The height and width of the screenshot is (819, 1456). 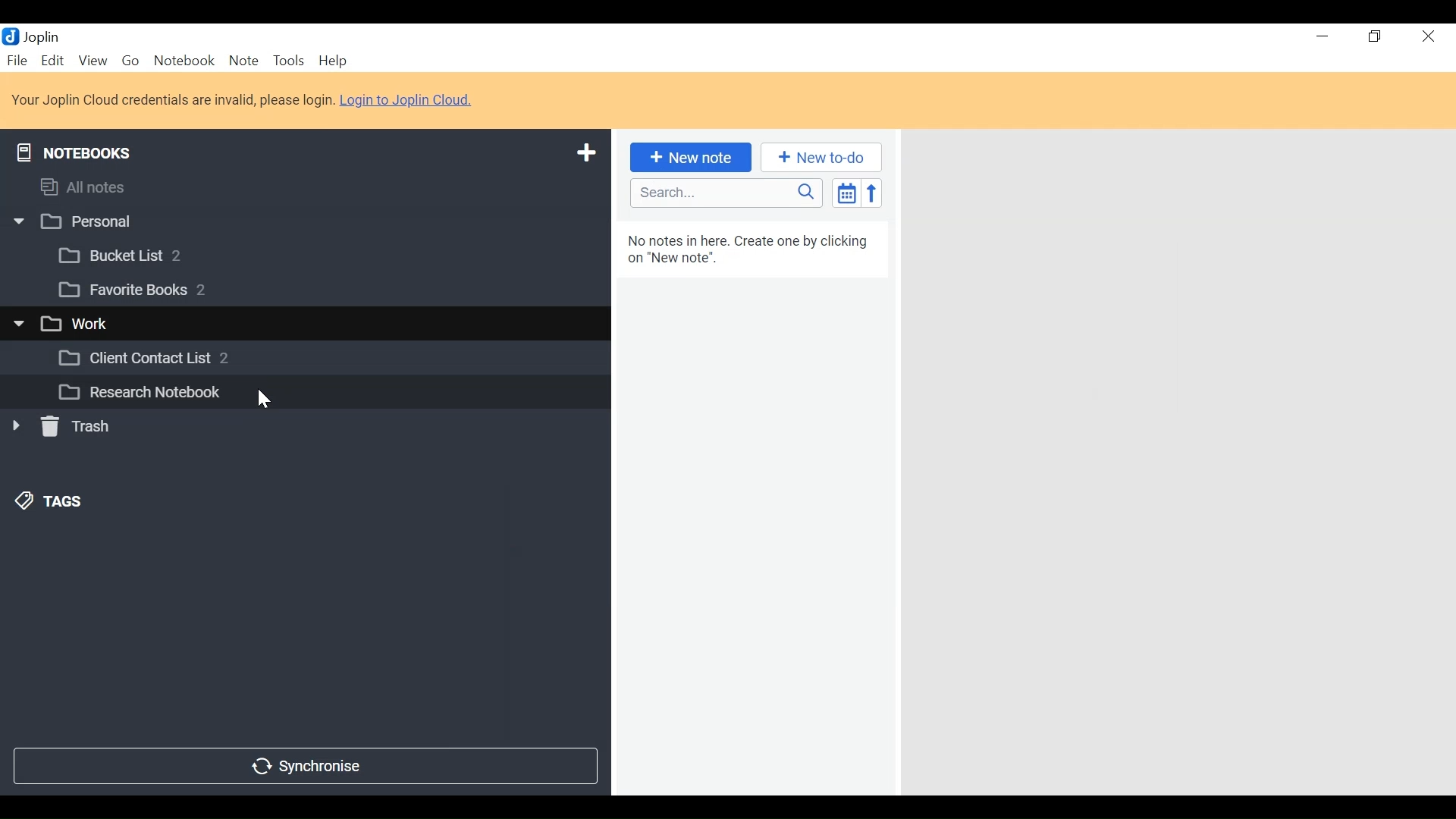 What do you see at coordinates (186, 60) in the screenshot?
I see `Notebook` at bounding box center [186, 60].